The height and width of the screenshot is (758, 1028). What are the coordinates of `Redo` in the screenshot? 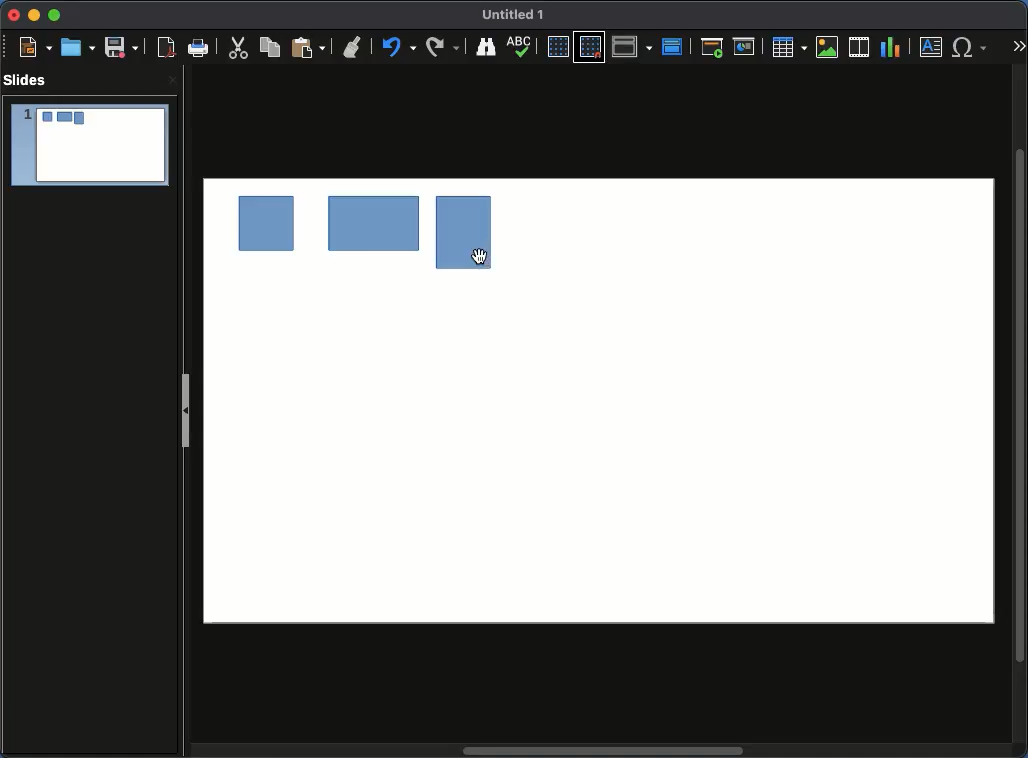 It's located at (396, 47).